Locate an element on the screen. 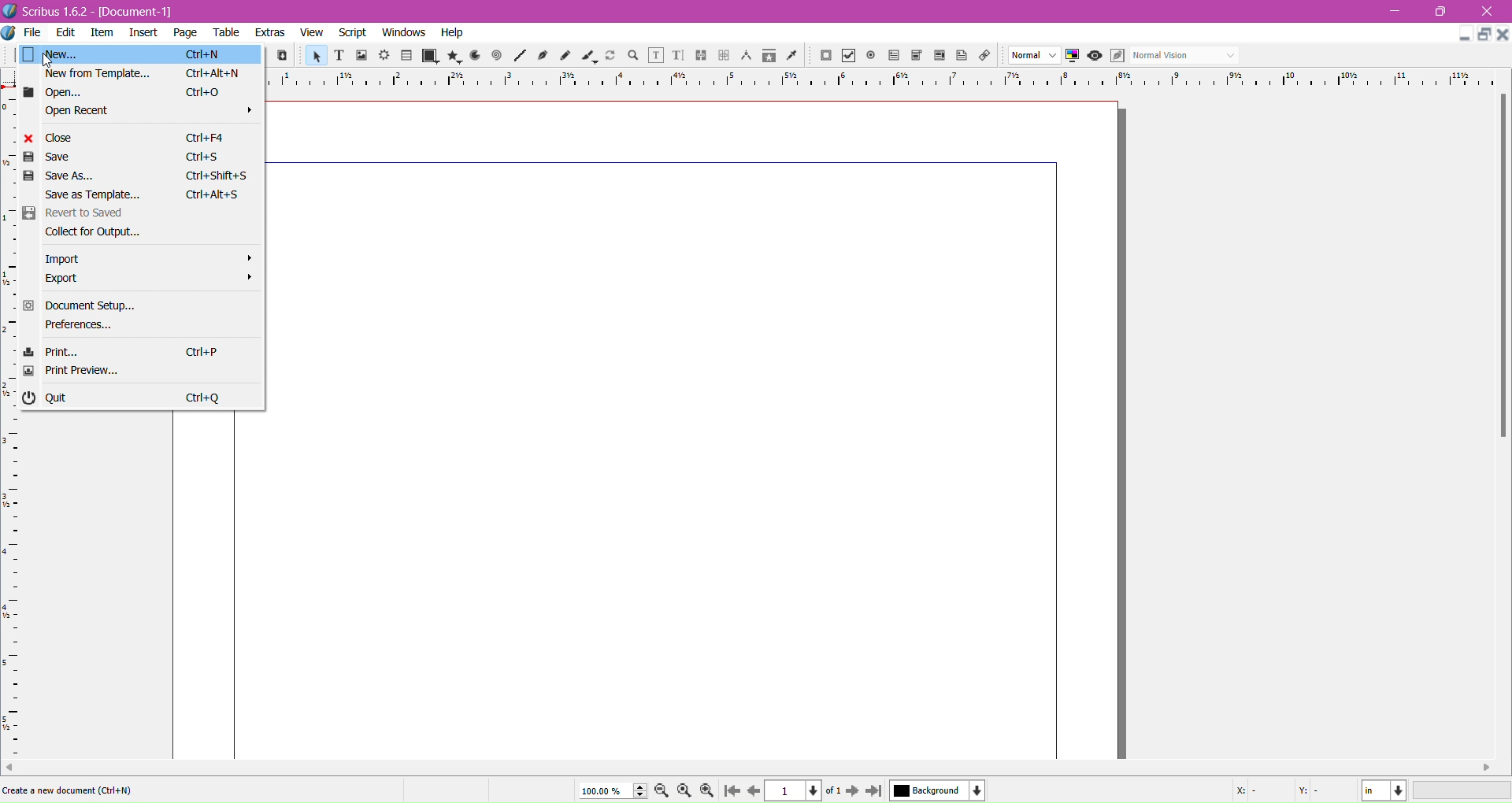 The width and height of the screenshot is (1512, 803). decrease zoom is located at coordinates (662, 791).